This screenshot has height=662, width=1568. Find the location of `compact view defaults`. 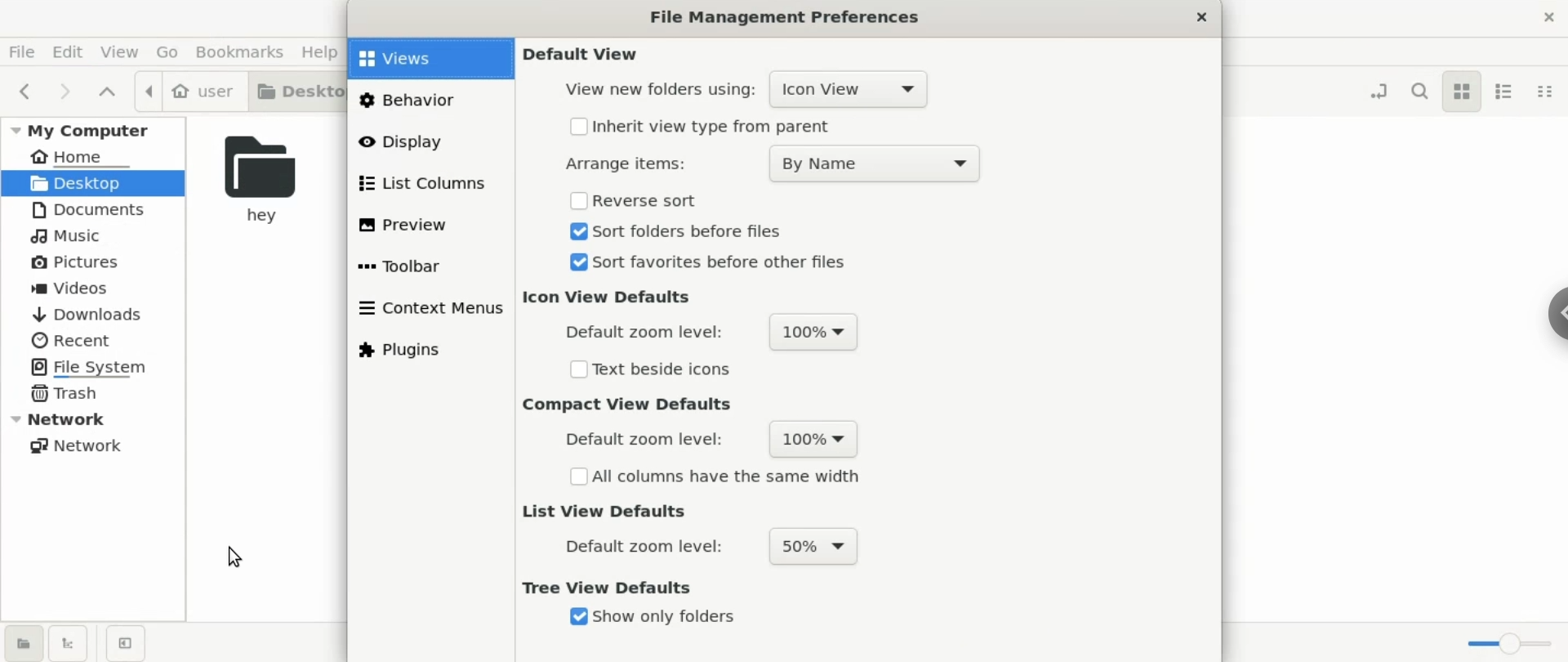

compact view defaults is located at coordinates (635, 407).